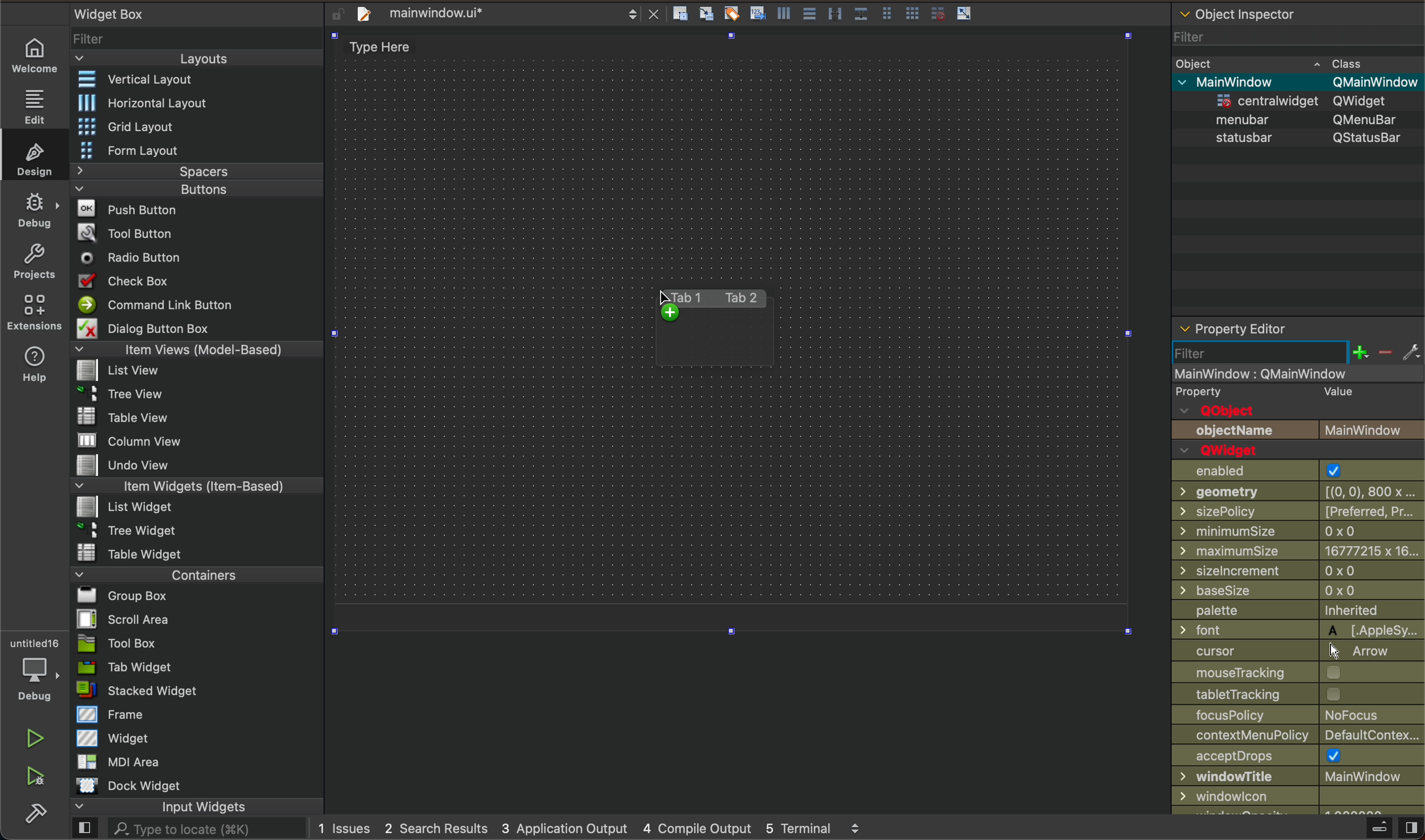 This screenshot has height=840, width=1425. Describe the element at coordinates (36, 103) in the screenshot. I see `edit` at that location.